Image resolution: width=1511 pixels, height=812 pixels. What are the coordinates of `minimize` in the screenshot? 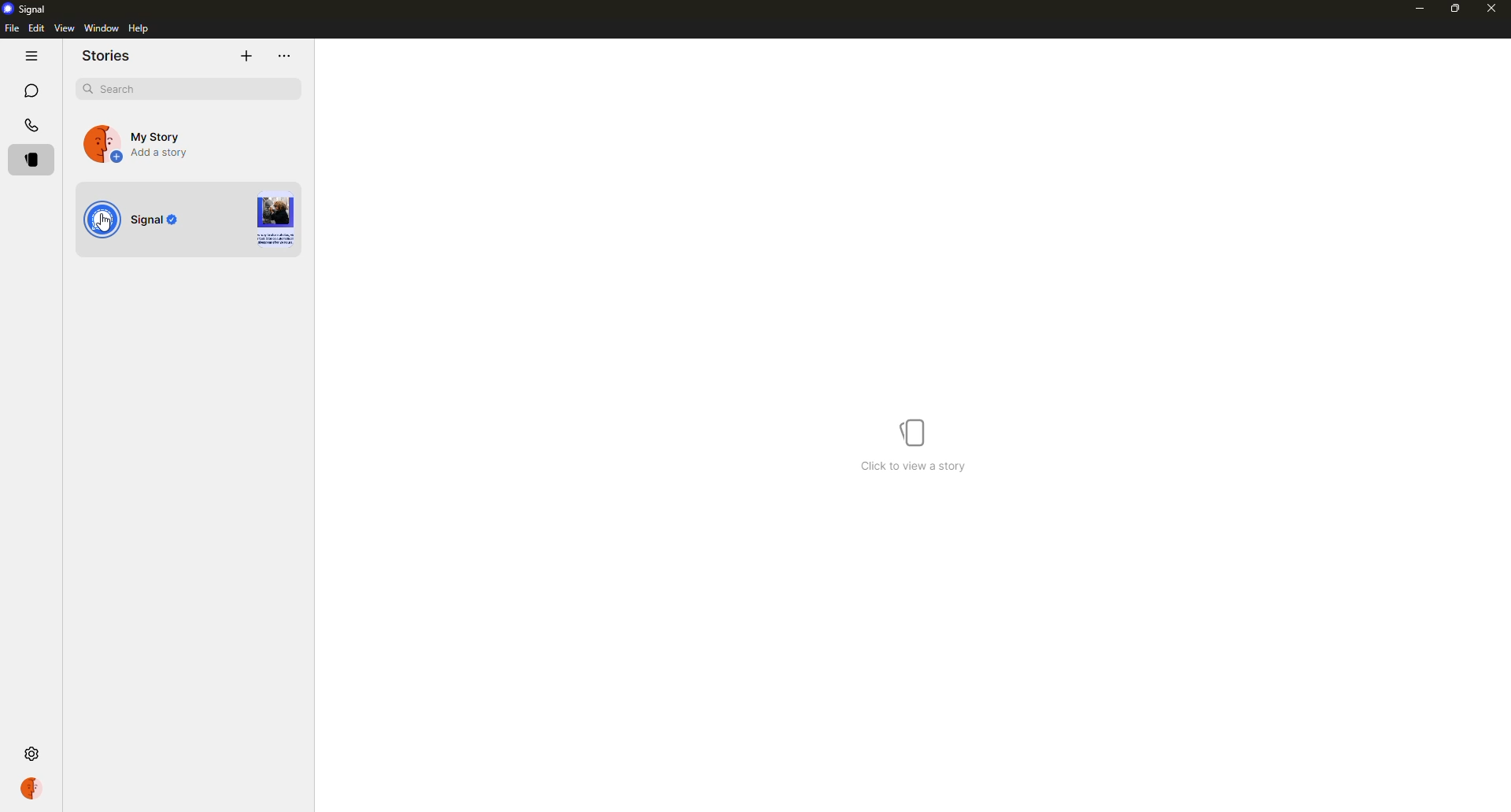 It's located at (1413, 9).